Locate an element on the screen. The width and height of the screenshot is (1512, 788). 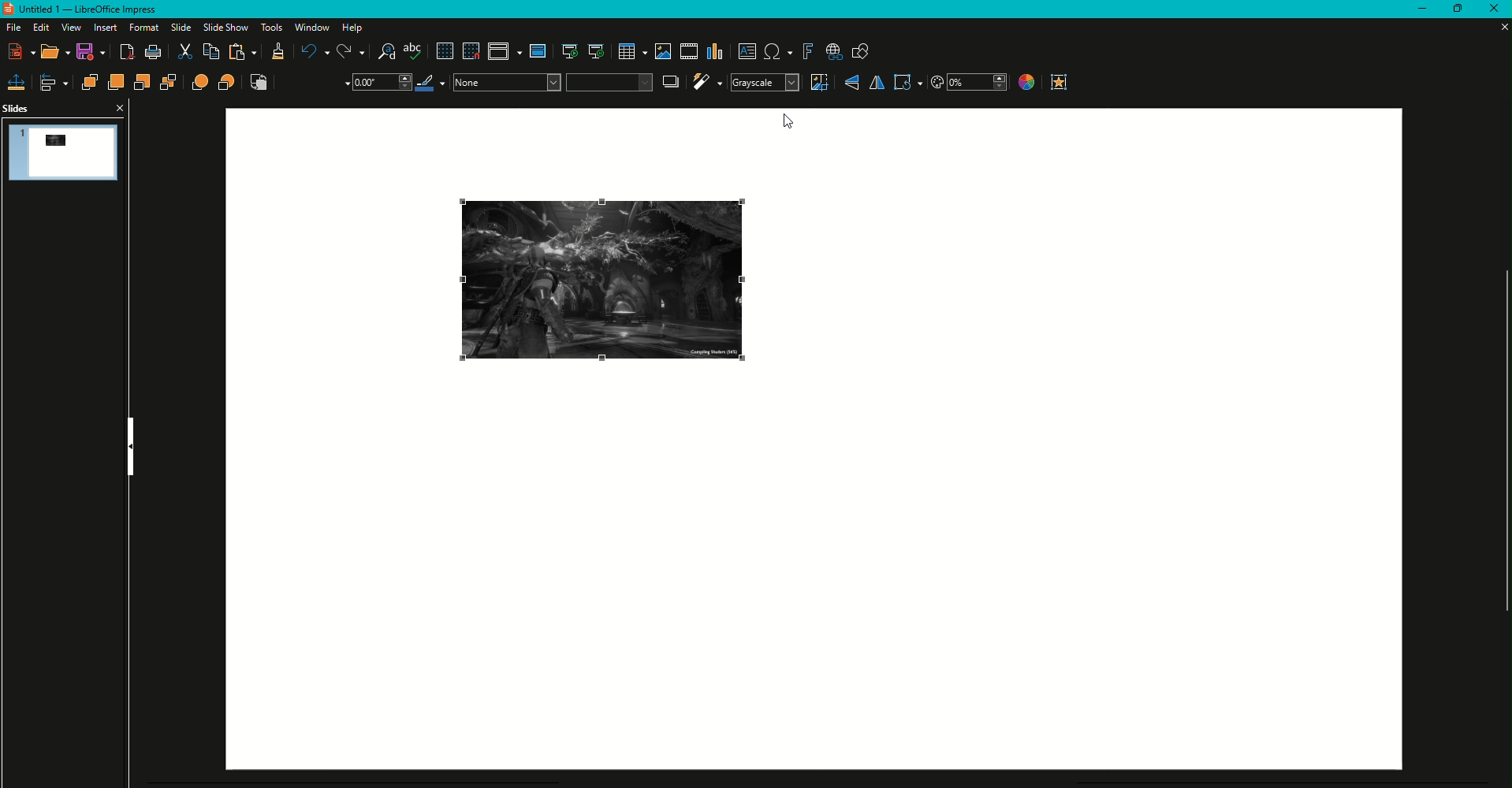
Special Characters is located at coordinates (778, 52).